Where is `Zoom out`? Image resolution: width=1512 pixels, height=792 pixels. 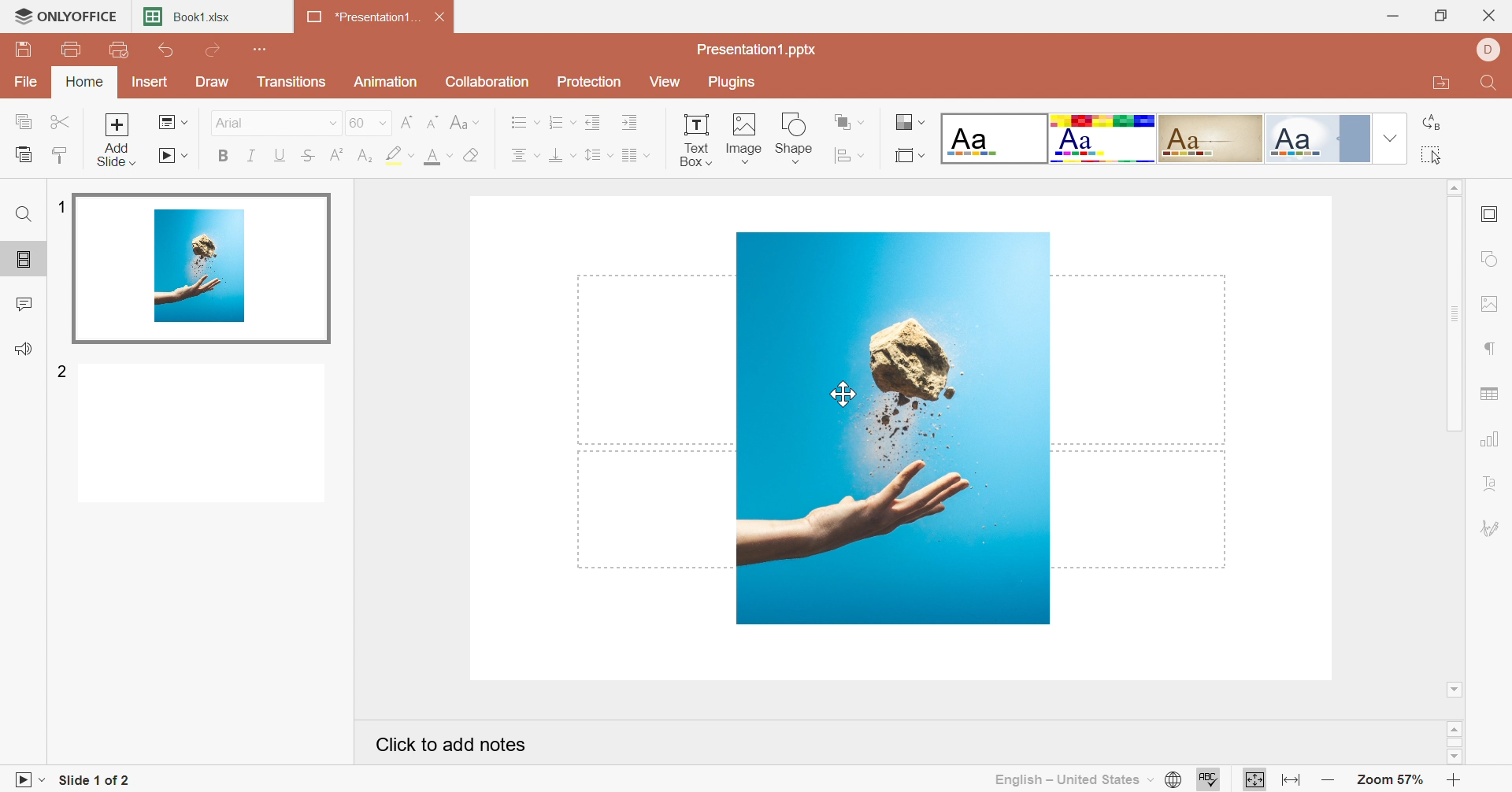 Zoom out is located at coordinates (1325, 782).